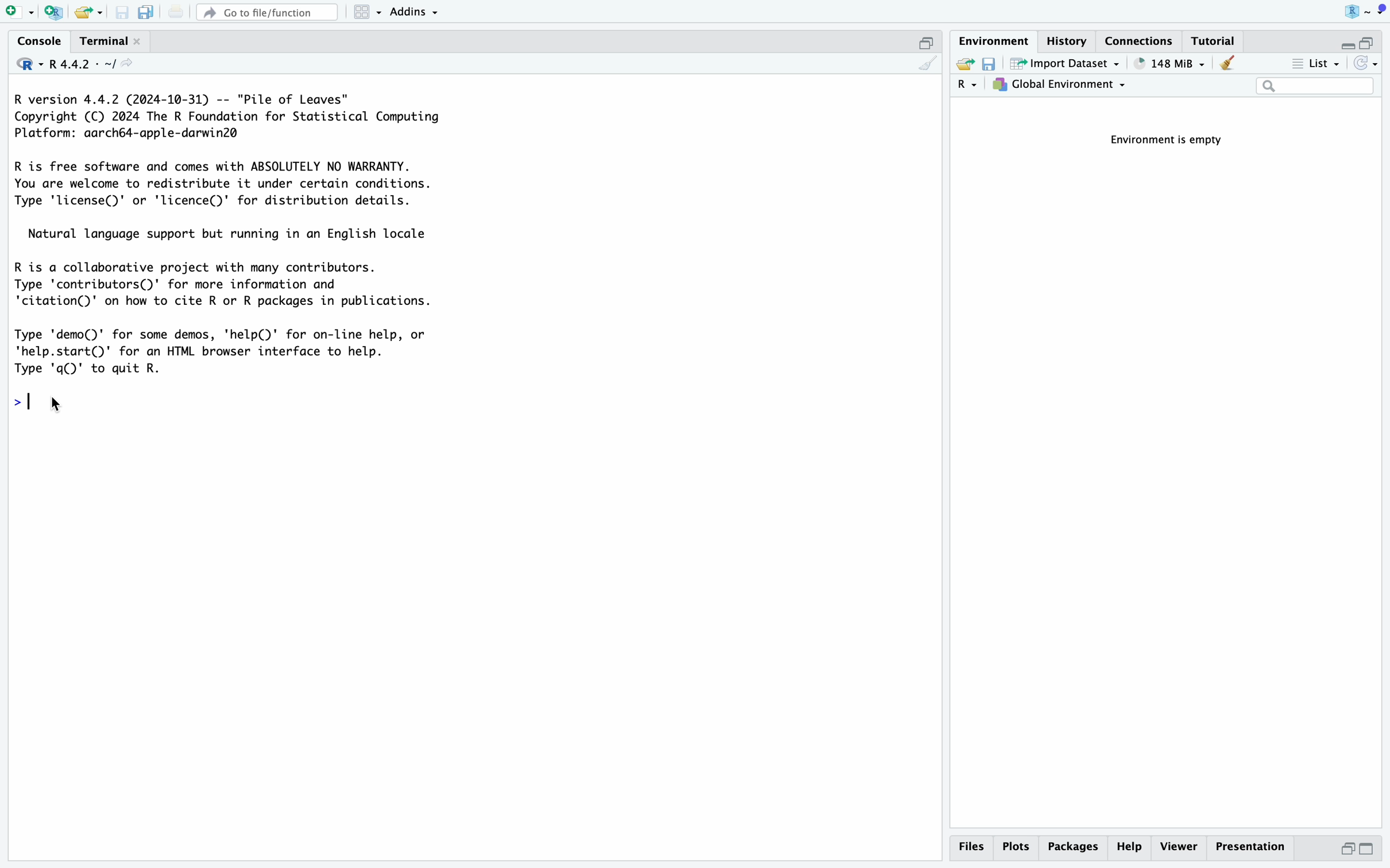 The height and width of the screenshot is (868, 1390). What do you see at coordinates (1374, 850) in the screenshot?
I see `maximize` at bounding box center [1374, 850].